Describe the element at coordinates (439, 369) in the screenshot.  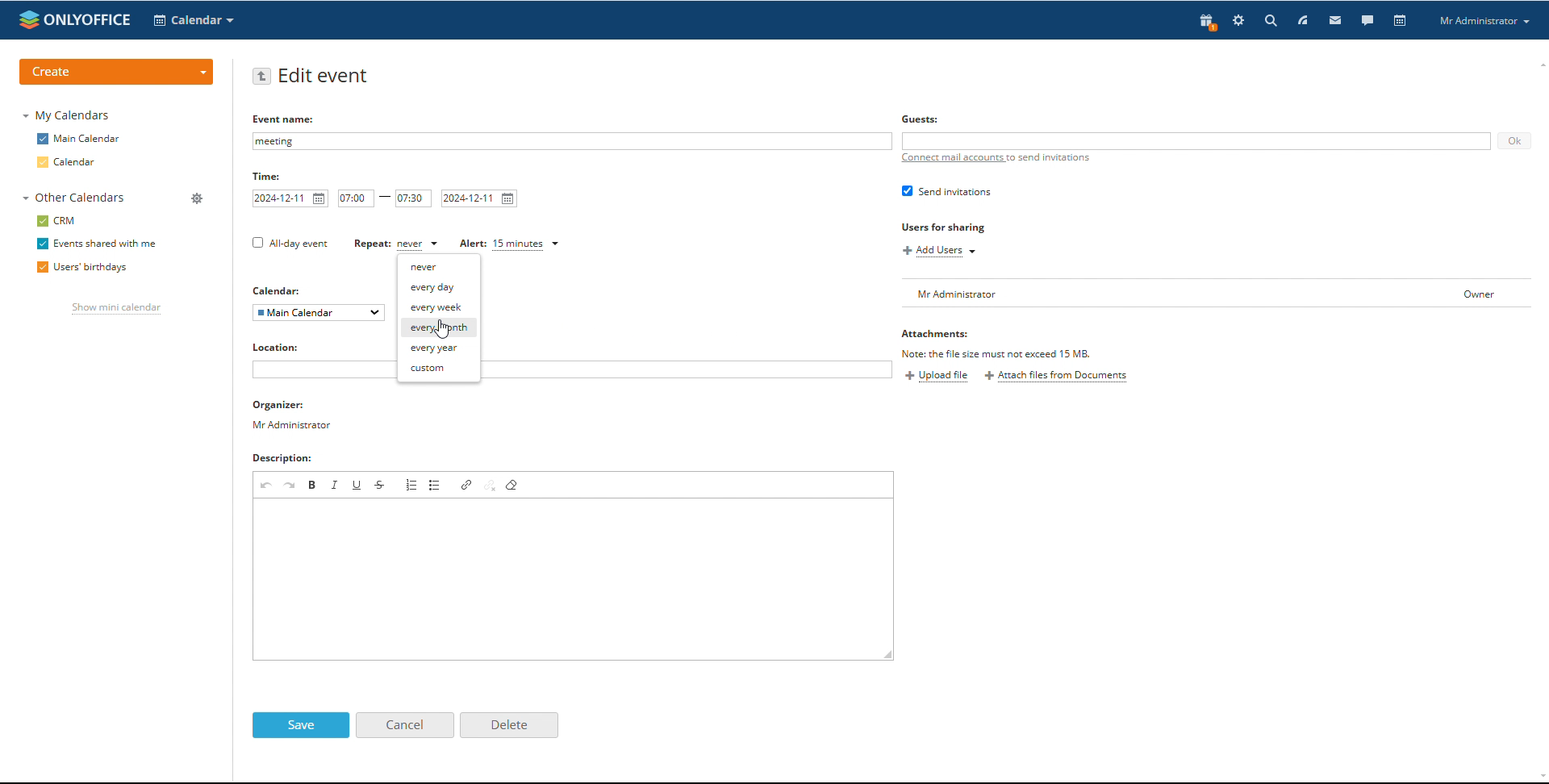
I see `custom` at that location.